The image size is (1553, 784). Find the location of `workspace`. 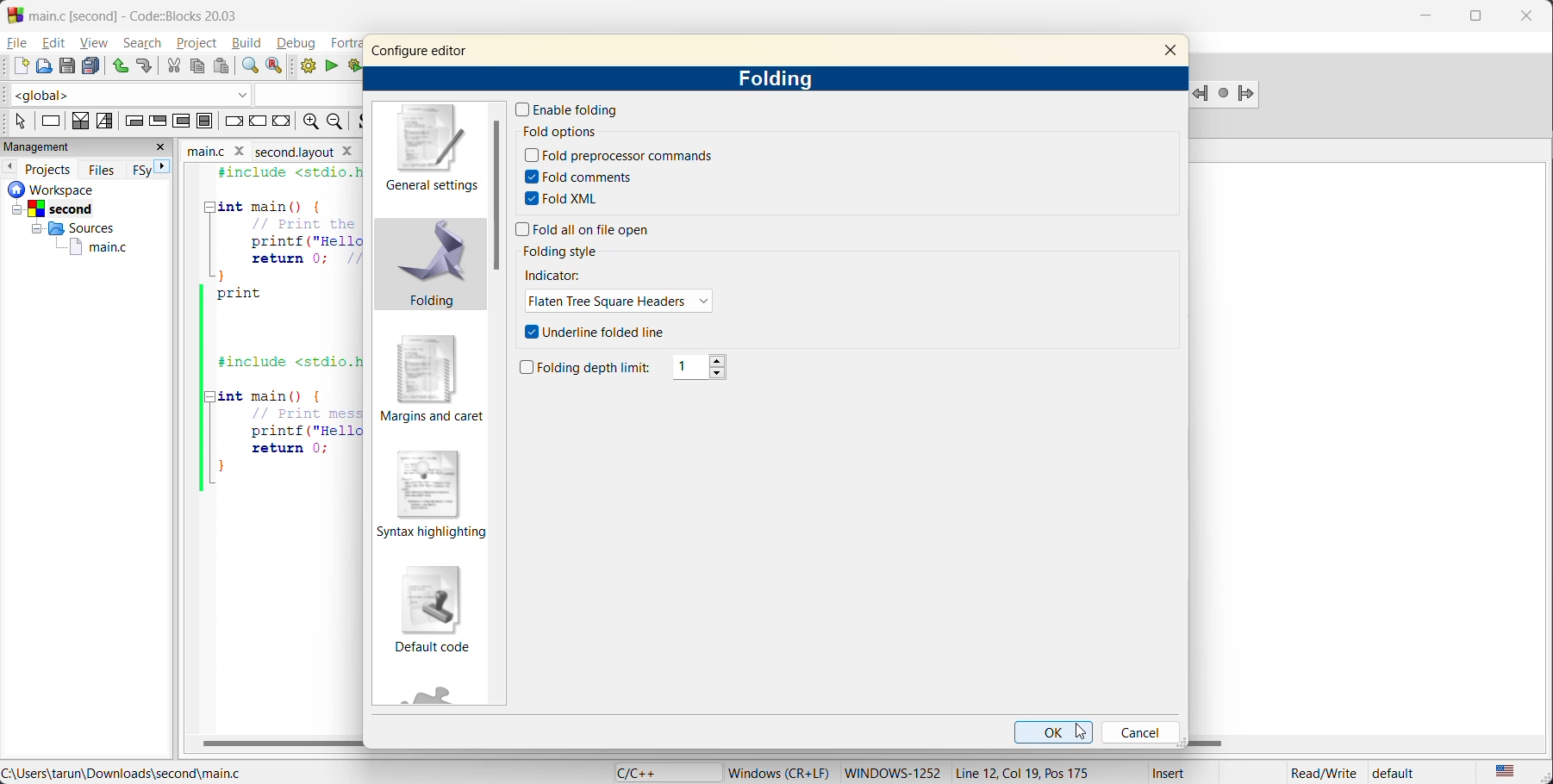

workspace is located at coordinates (47, 190).